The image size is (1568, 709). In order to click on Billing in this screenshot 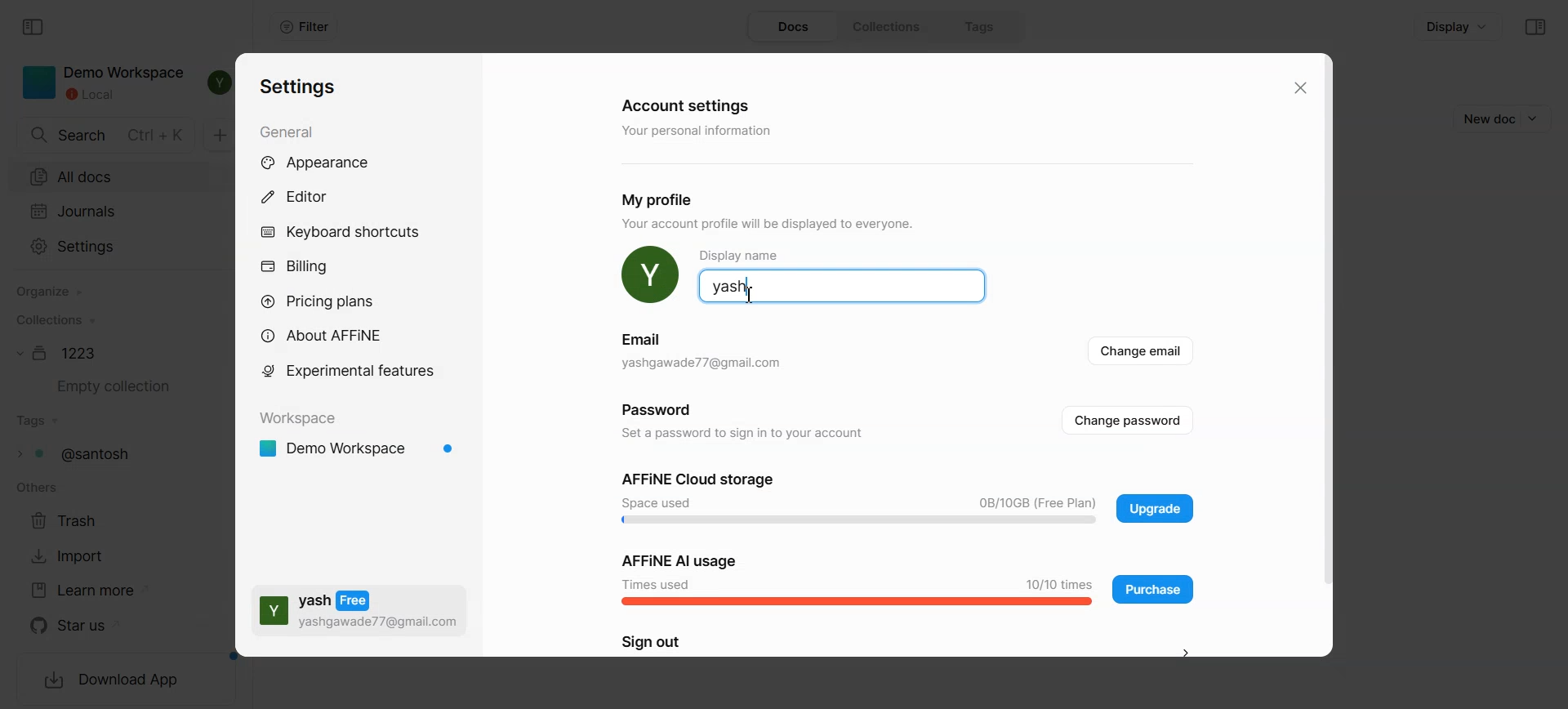, I will do `click(294, 268)`.